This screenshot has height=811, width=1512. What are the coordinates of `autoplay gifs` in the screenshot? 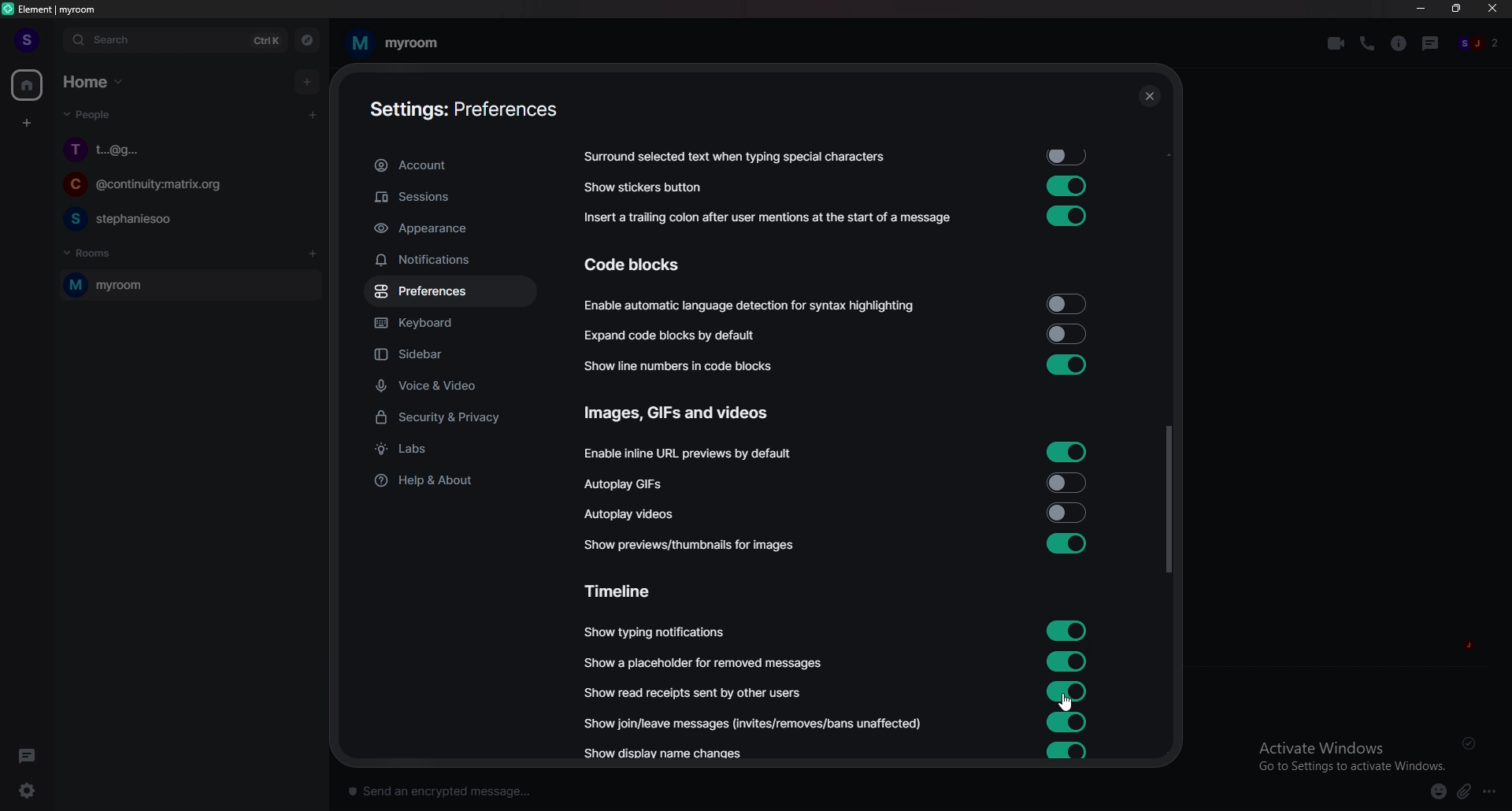 It's located at (634, 484).